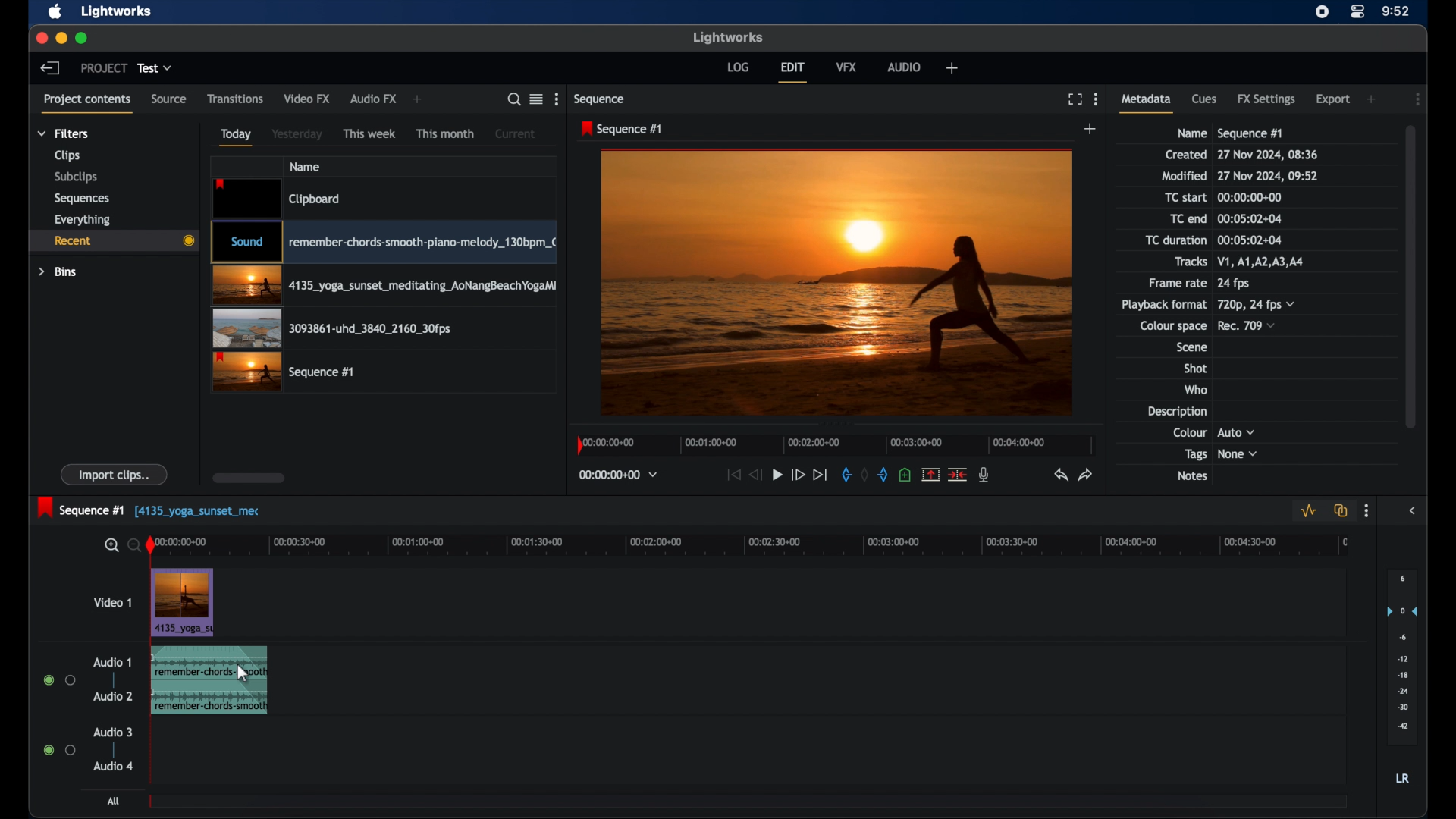 The image size is (1456, 819). Describe the element at coordinates (1147, 102) in the screenshot. I see `metadata` at that location.